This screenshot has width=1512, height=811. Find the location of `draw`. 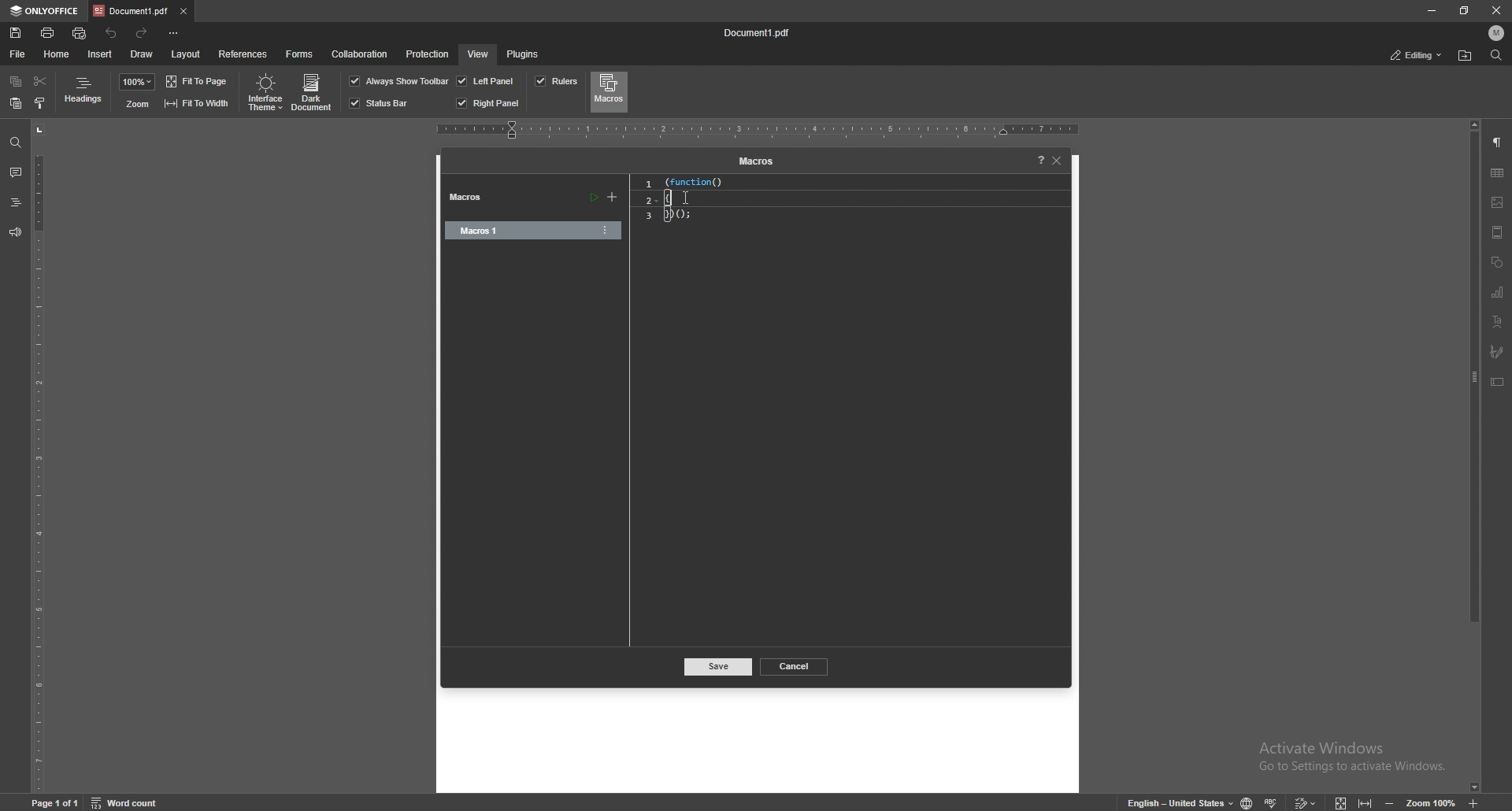

draw is located at coordinates (143, 53).